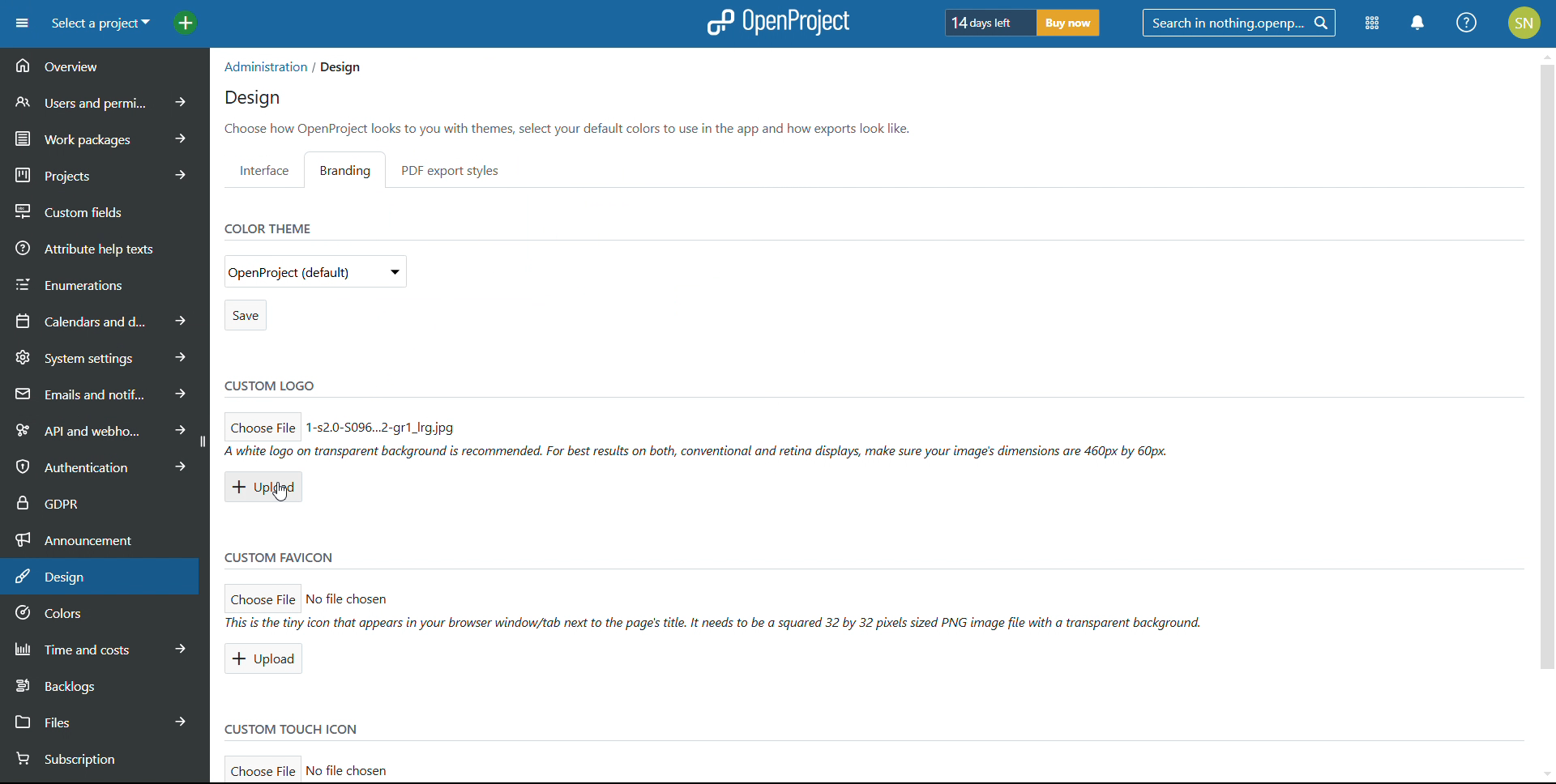 The height and width of the screenshot is (784, 1556). What do you see at coordinates (350, 170) in the screenshot?
I see `branding setting selected` at bounding box center [350, 170].